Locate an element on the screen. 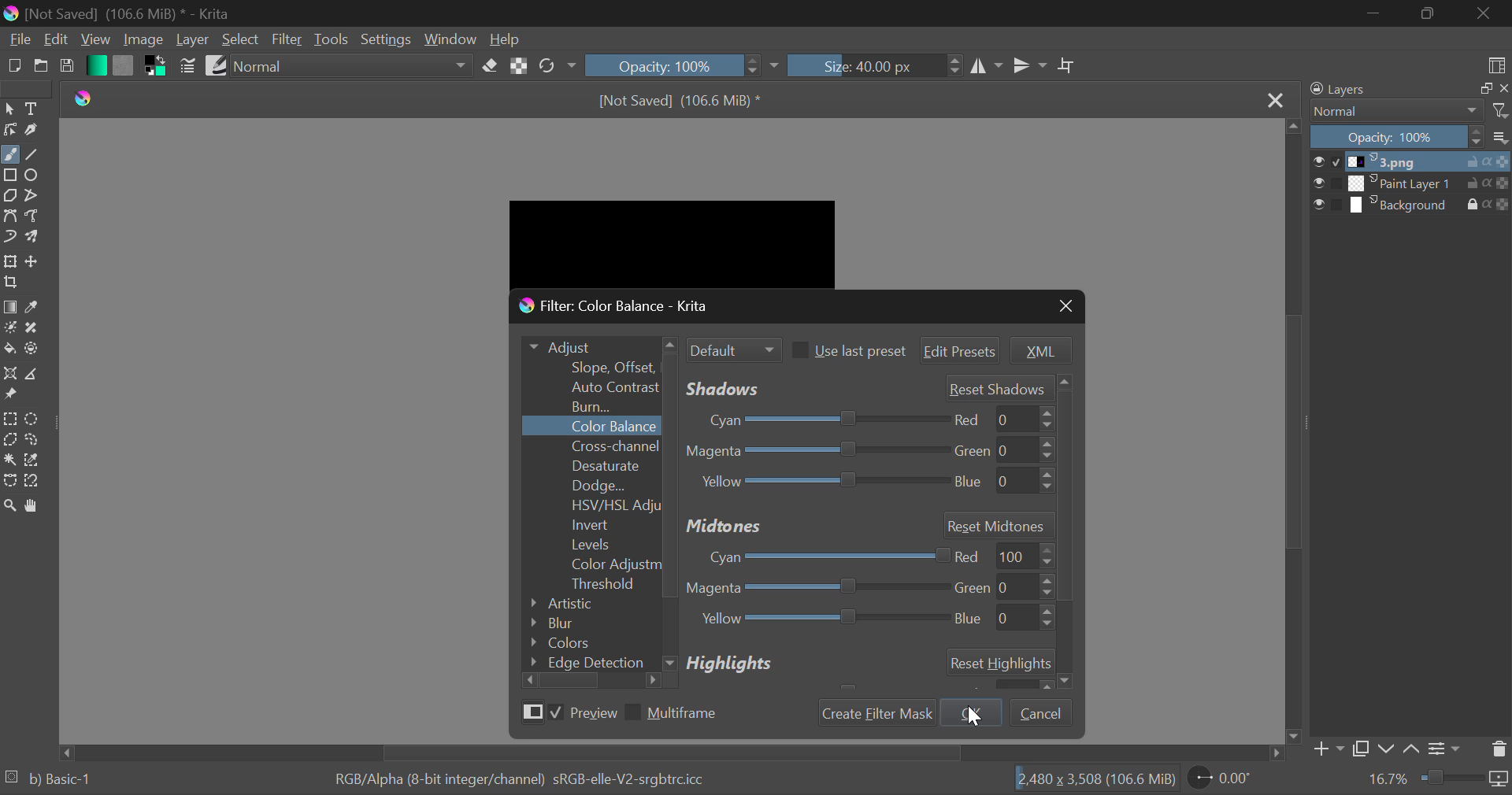 The width and height of the screenshot is (1512, 795). Circular Selection is located at coordinates (34, 417).